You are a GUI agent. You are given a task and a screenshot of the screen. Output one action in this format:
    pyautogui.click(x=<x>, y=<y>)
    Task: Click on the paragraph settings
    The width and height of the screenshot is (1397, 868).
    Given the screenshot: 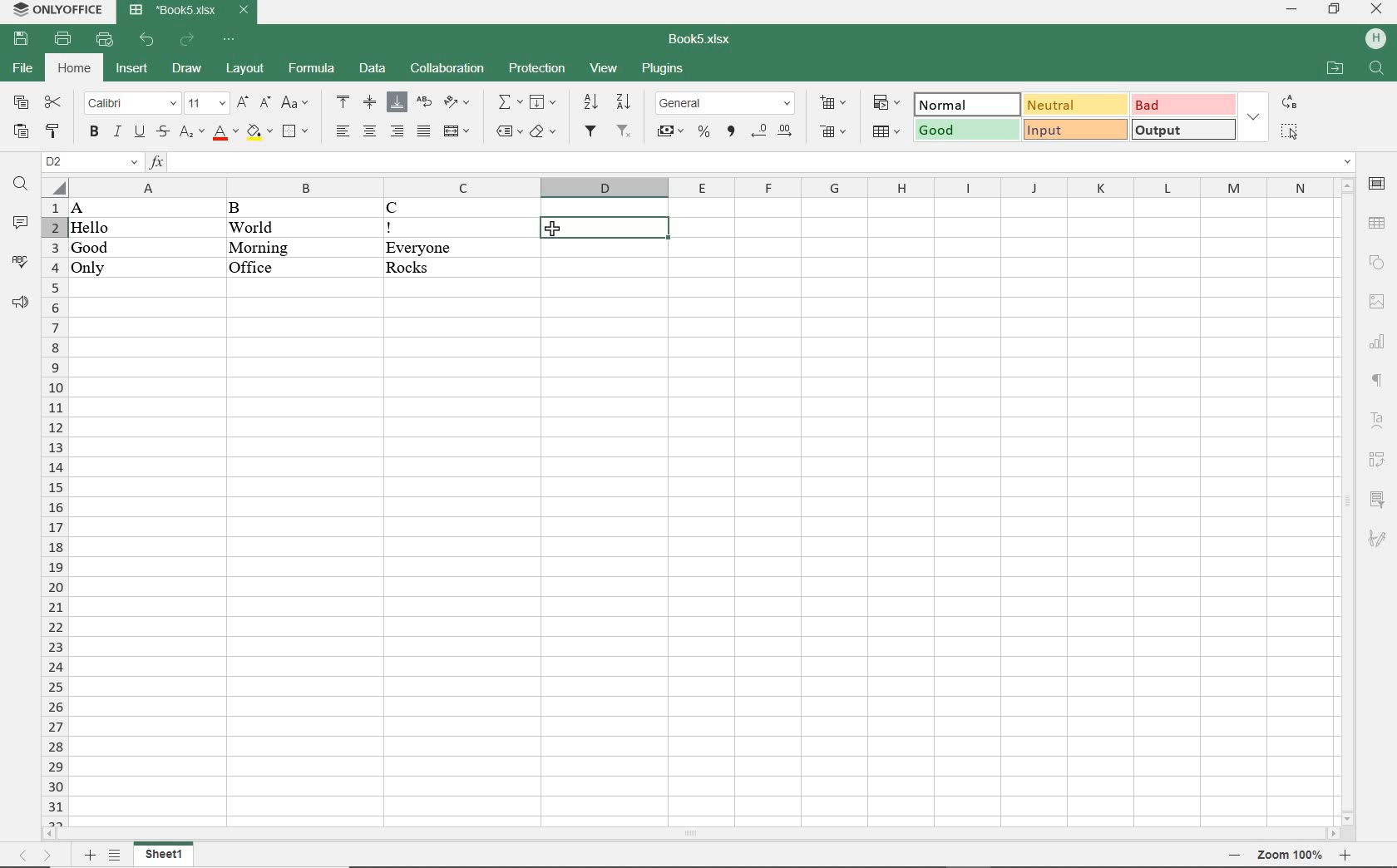 What is the action you would take?
    pyautogui.click(x=1378, y=381)
    